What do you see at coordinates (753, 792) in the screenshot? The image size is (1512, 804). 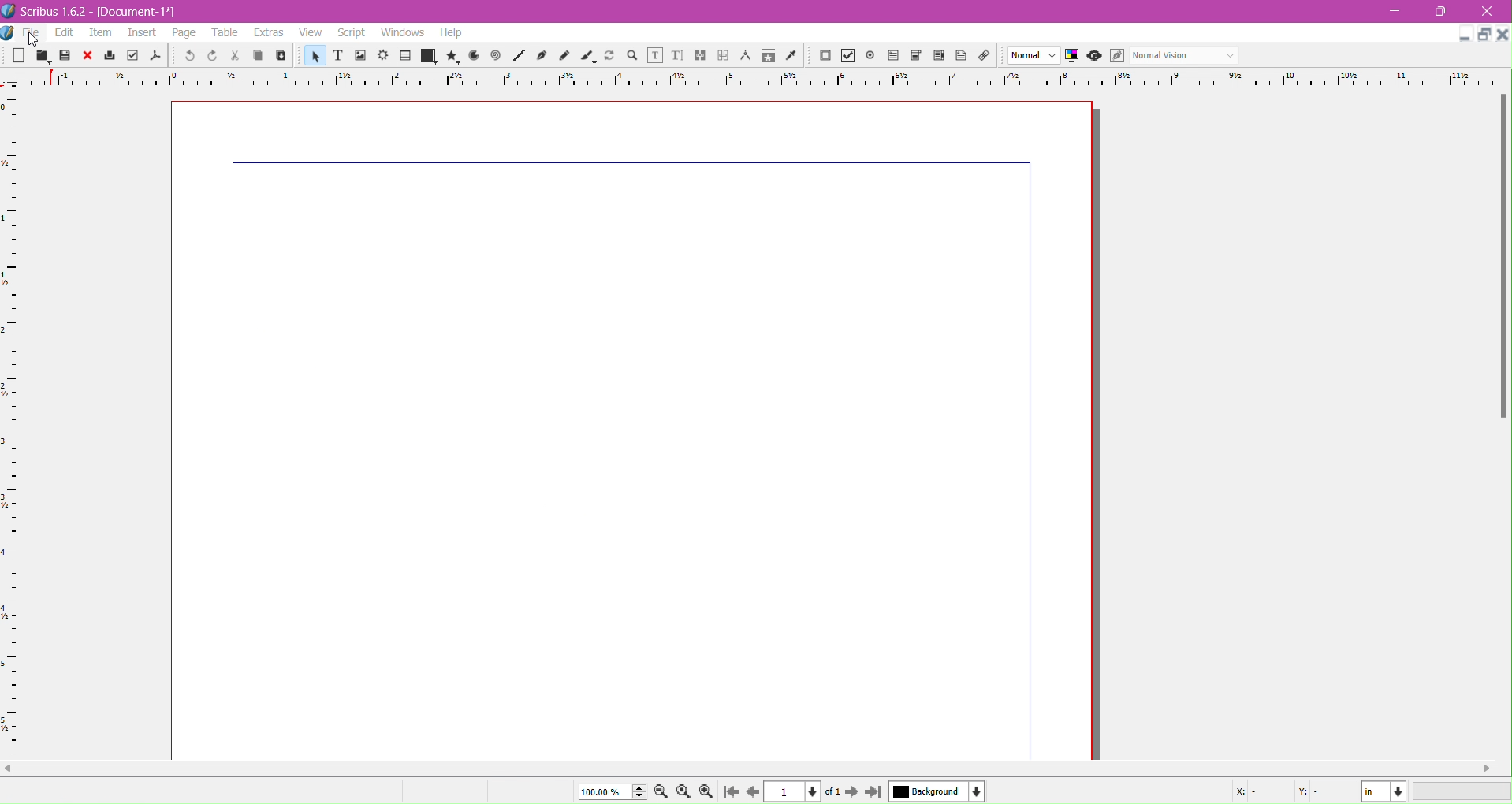 I see `go to previous page` at bounding box center [753, 792].